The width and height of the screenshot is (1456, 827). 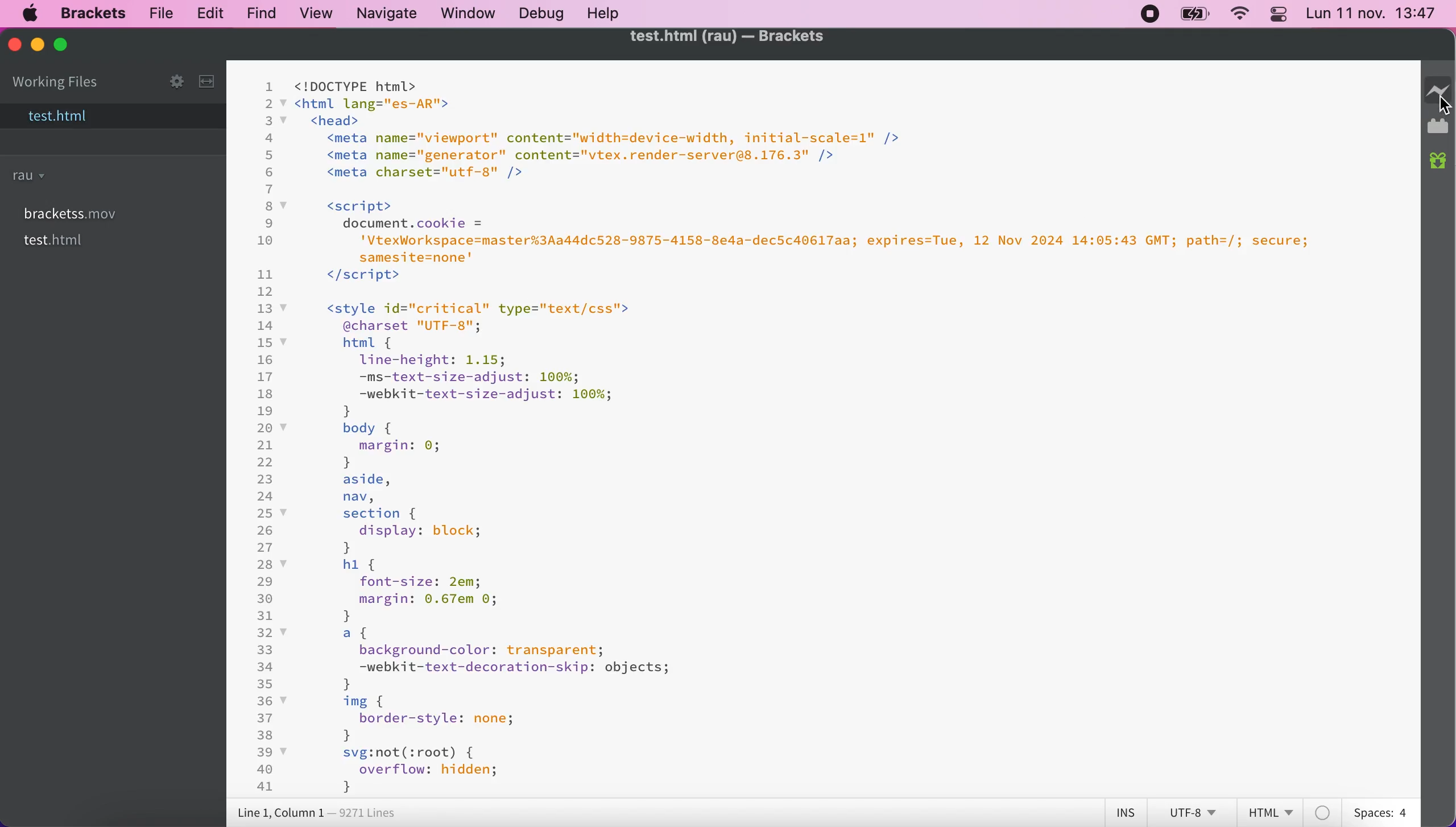 What do you see at coordinates (1125, 812) in the screenshot?
I see `ins` at bounding box center [1125, 812].